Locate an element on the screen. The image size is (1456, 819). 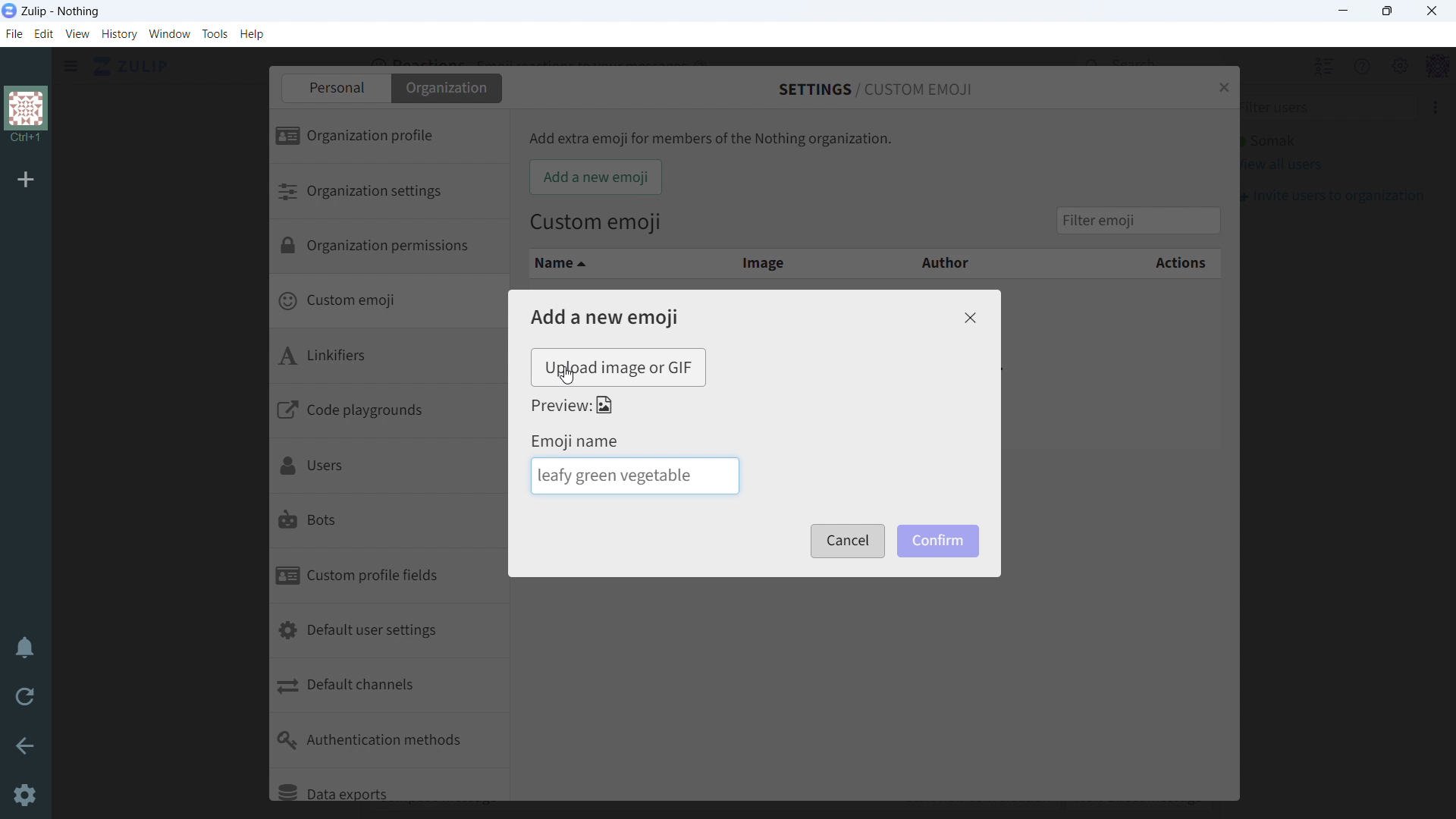
open sidebar menu is located at coordinates (71, 66).